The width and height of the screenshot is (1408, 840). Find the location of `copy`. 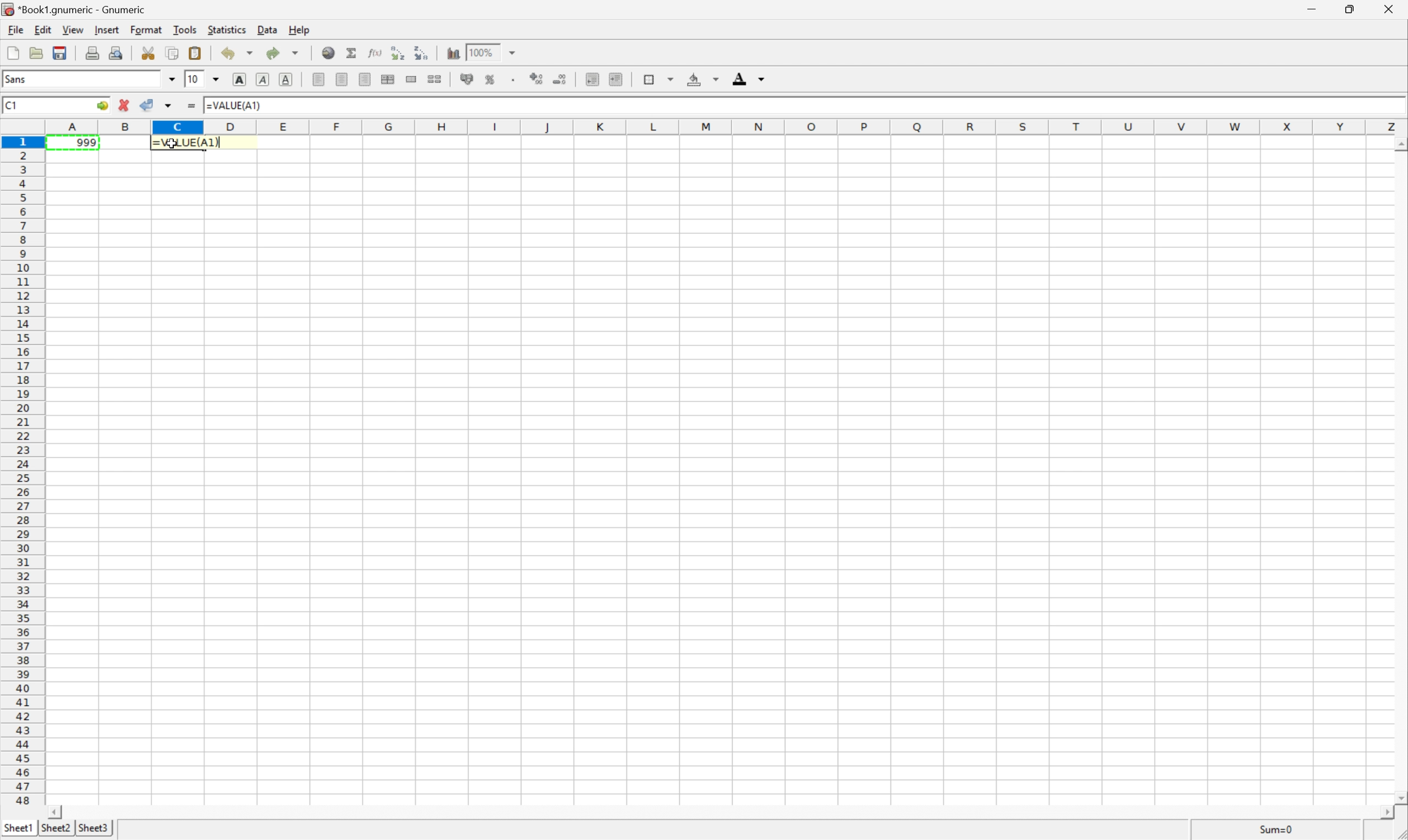

copy is located at coordinates (173, 51).